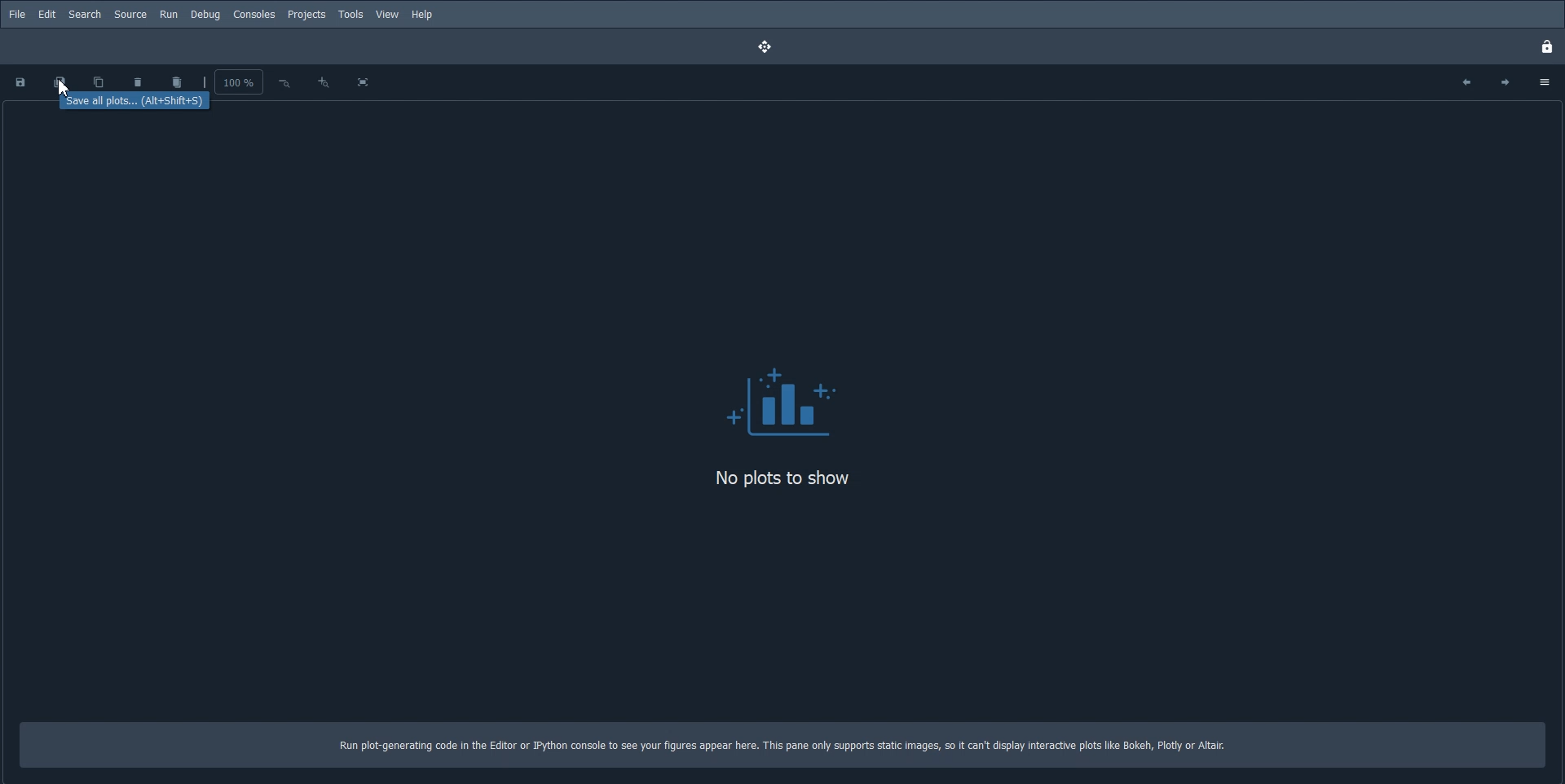 Image resolution: width=1565 pixels, height=784 pixels. What do you see at coordinates (176, 80) in the screenshot?
I see `Remove all plot ` at bounding box center [176, 80].